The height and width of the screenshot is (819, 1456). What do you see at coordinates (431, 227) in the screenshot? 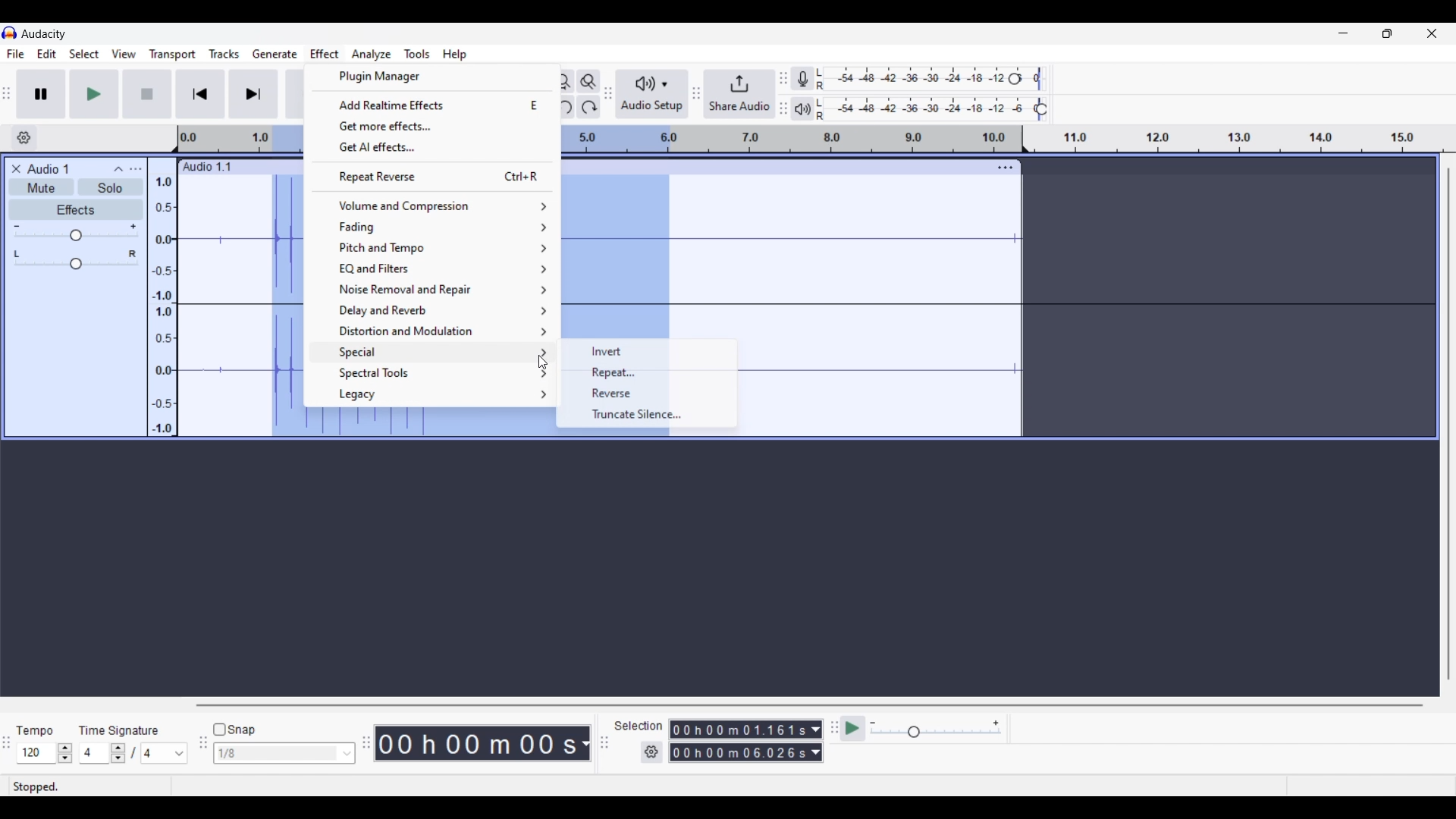
I see `Fading options` at bounding box center [431, 227].